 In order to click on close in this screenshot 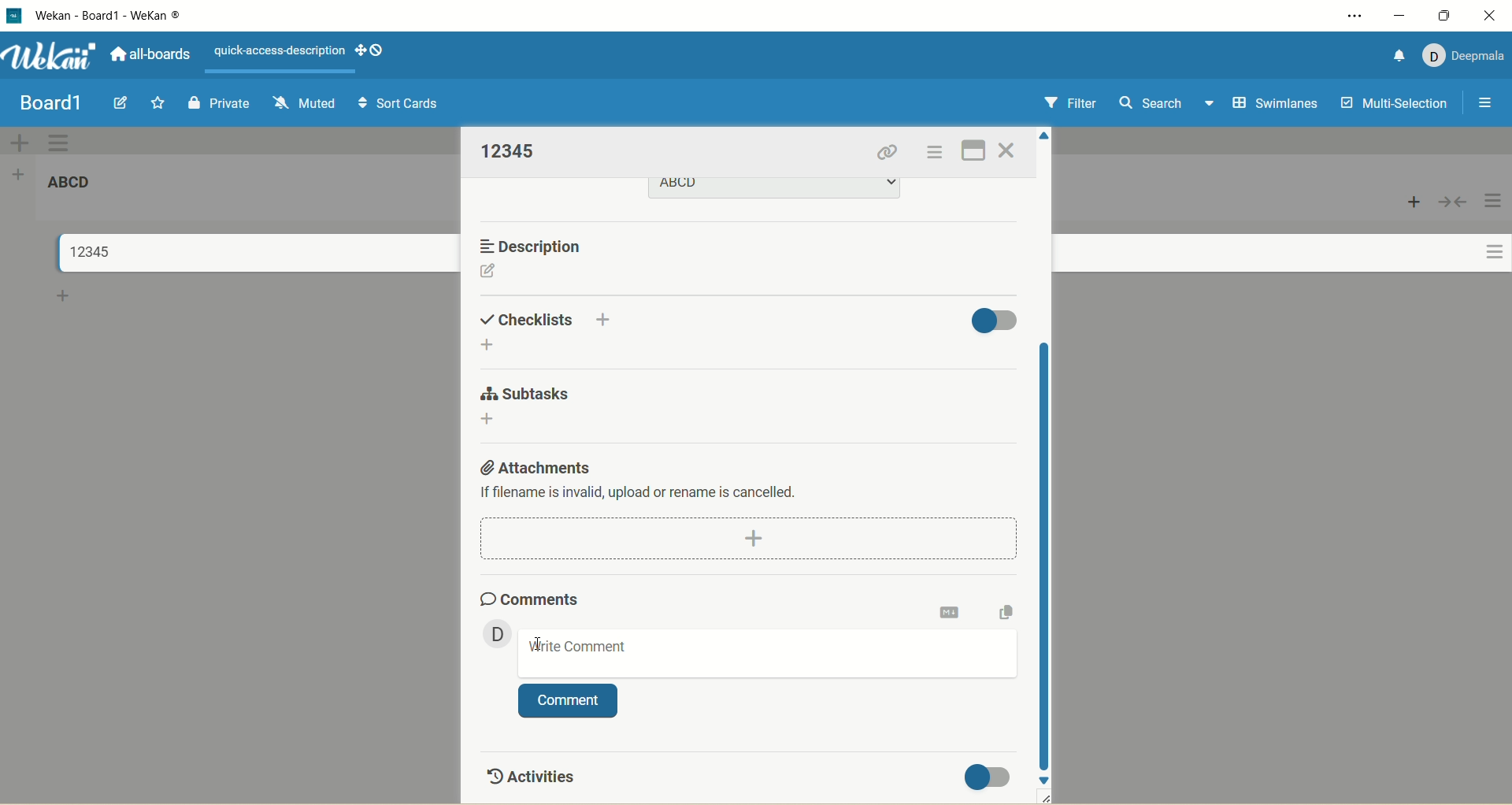, I will do `click(1007, 151)`.